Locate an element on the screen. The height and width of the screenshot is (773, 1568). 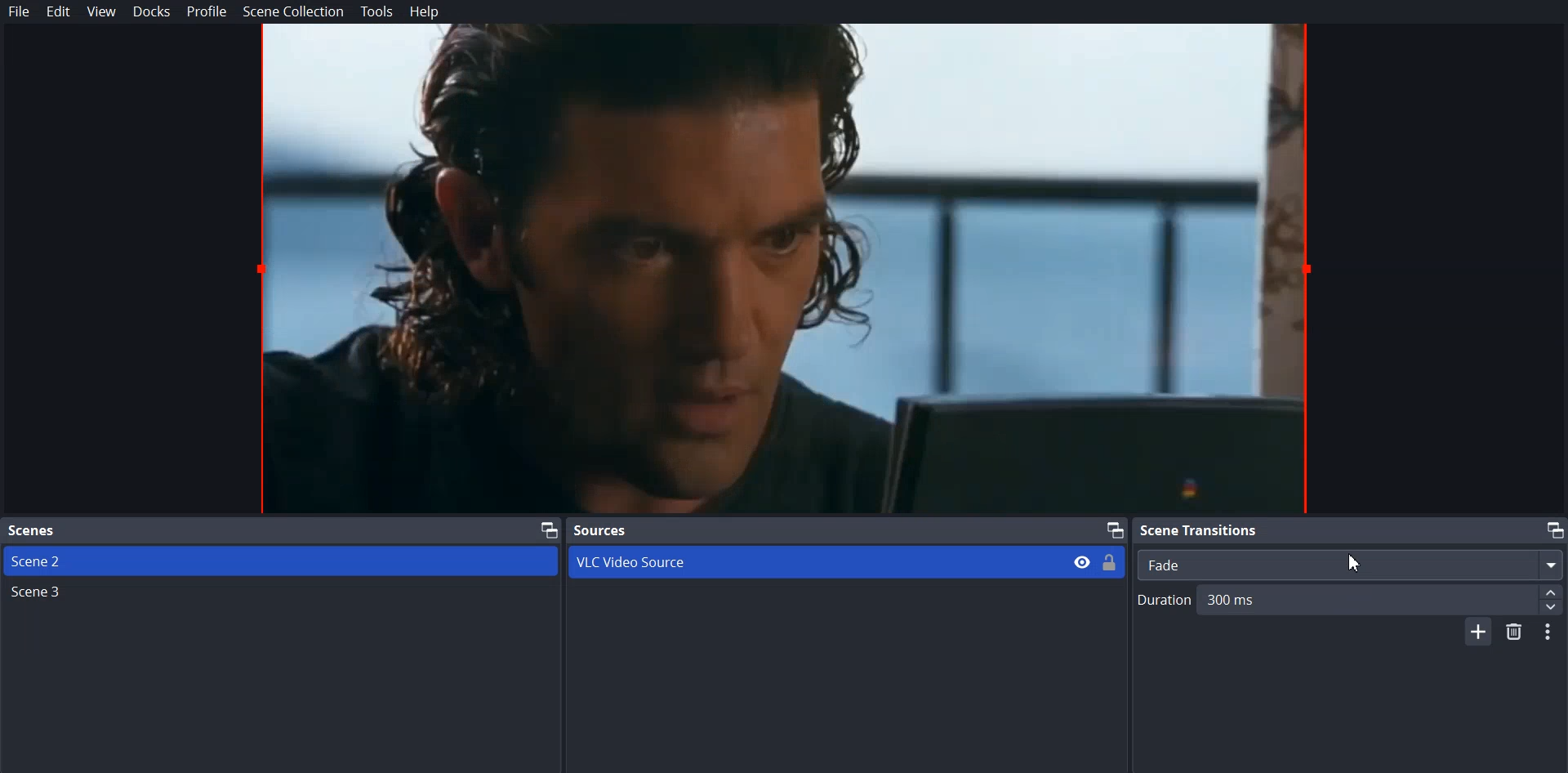
300 ms is located at coordinates (1385, 598).